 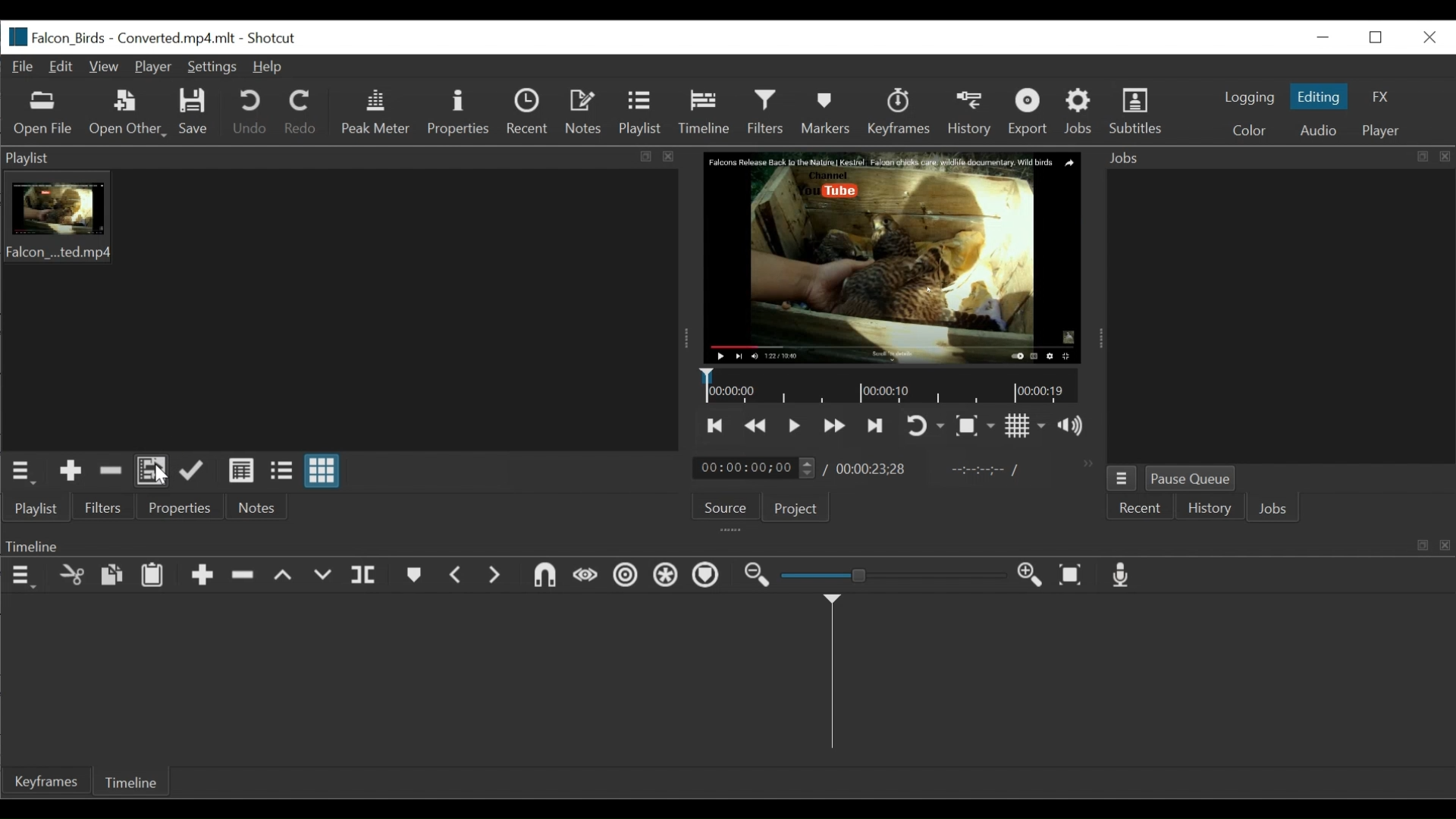 I want to click on Add the Source to the playlist, so click(x=71, y=472).